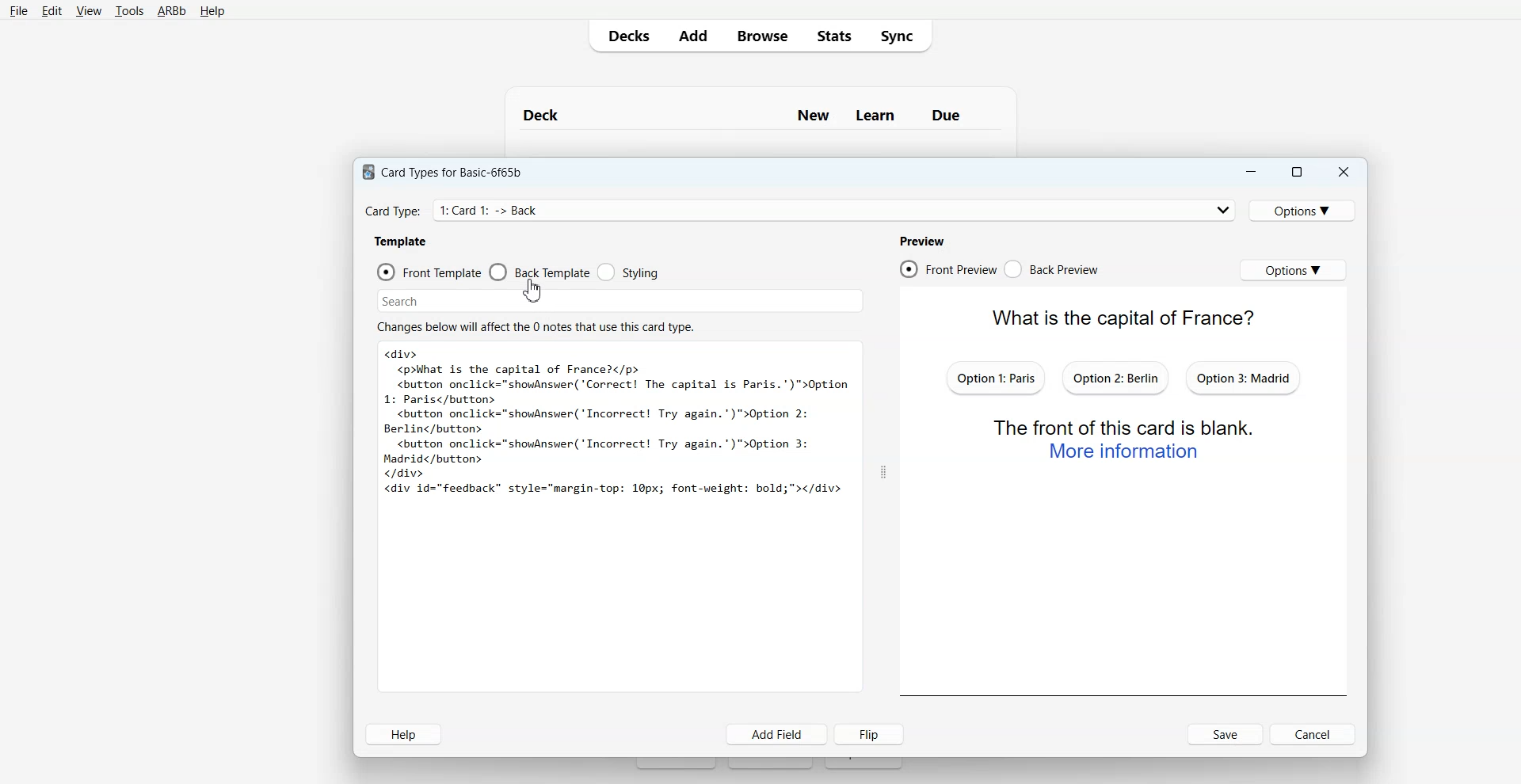  I want to click on Close, so click(1344, 171).